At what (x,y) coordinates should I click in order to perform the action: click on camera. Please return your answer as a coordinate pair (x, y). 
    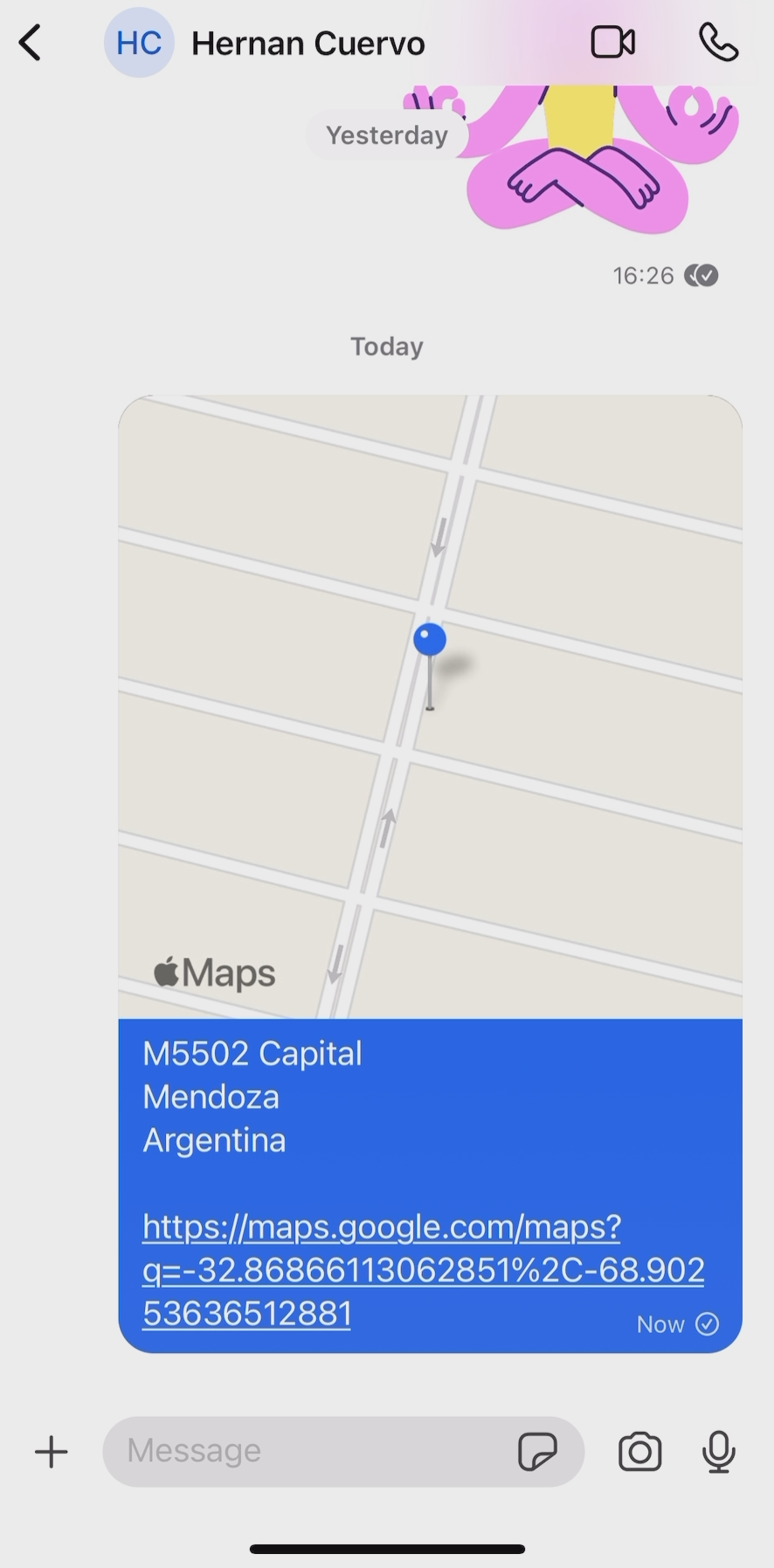
    Looking at the image, I should click on (639, 1447).